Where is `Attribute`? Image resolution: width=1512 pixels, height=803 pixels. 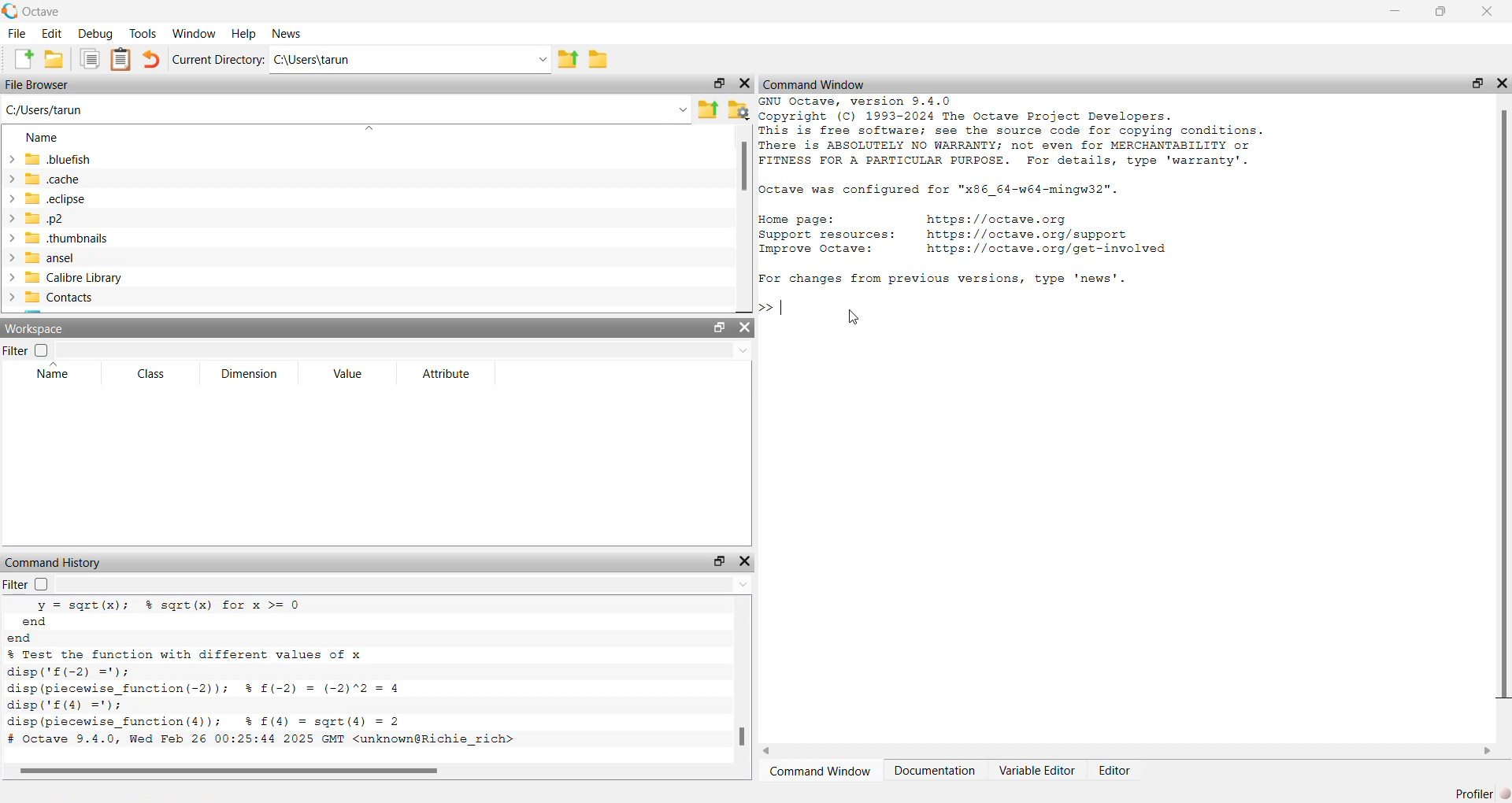
Attribute is located at coordinates (446, 373).